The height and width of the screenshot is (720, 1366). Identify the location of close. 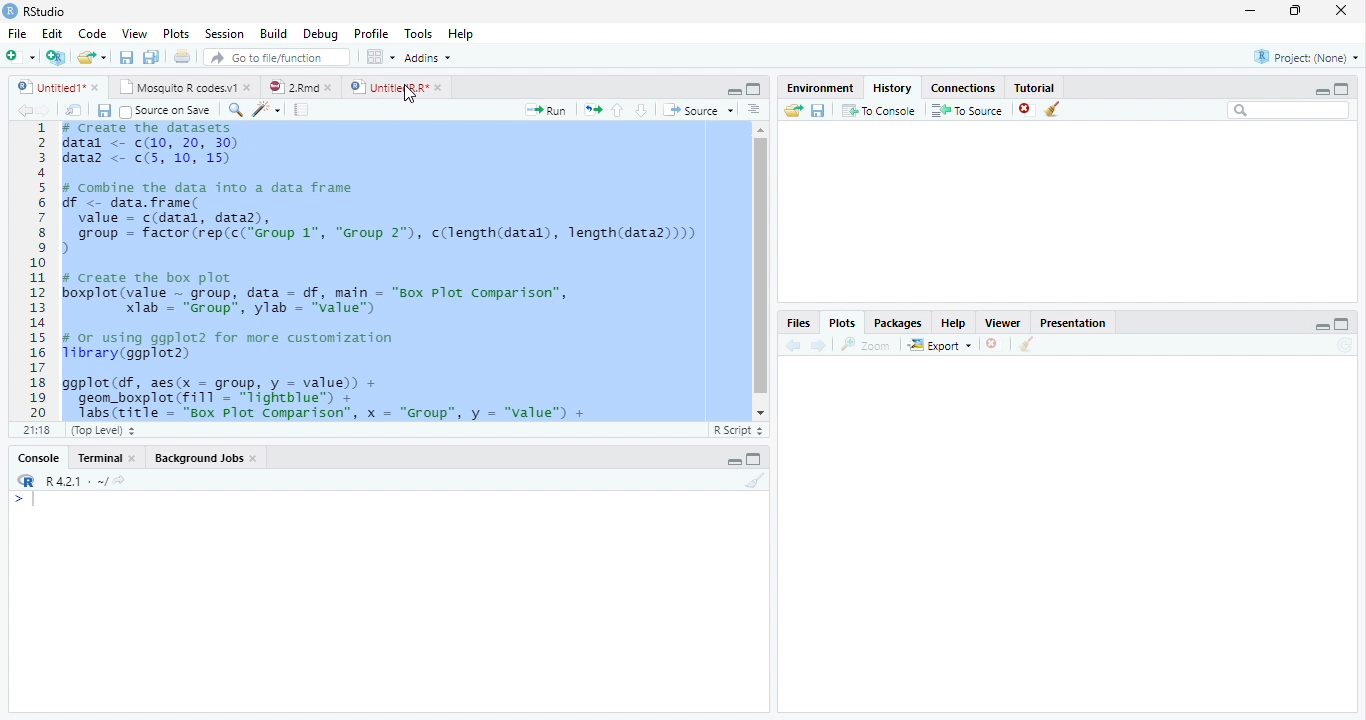
(439, 87).